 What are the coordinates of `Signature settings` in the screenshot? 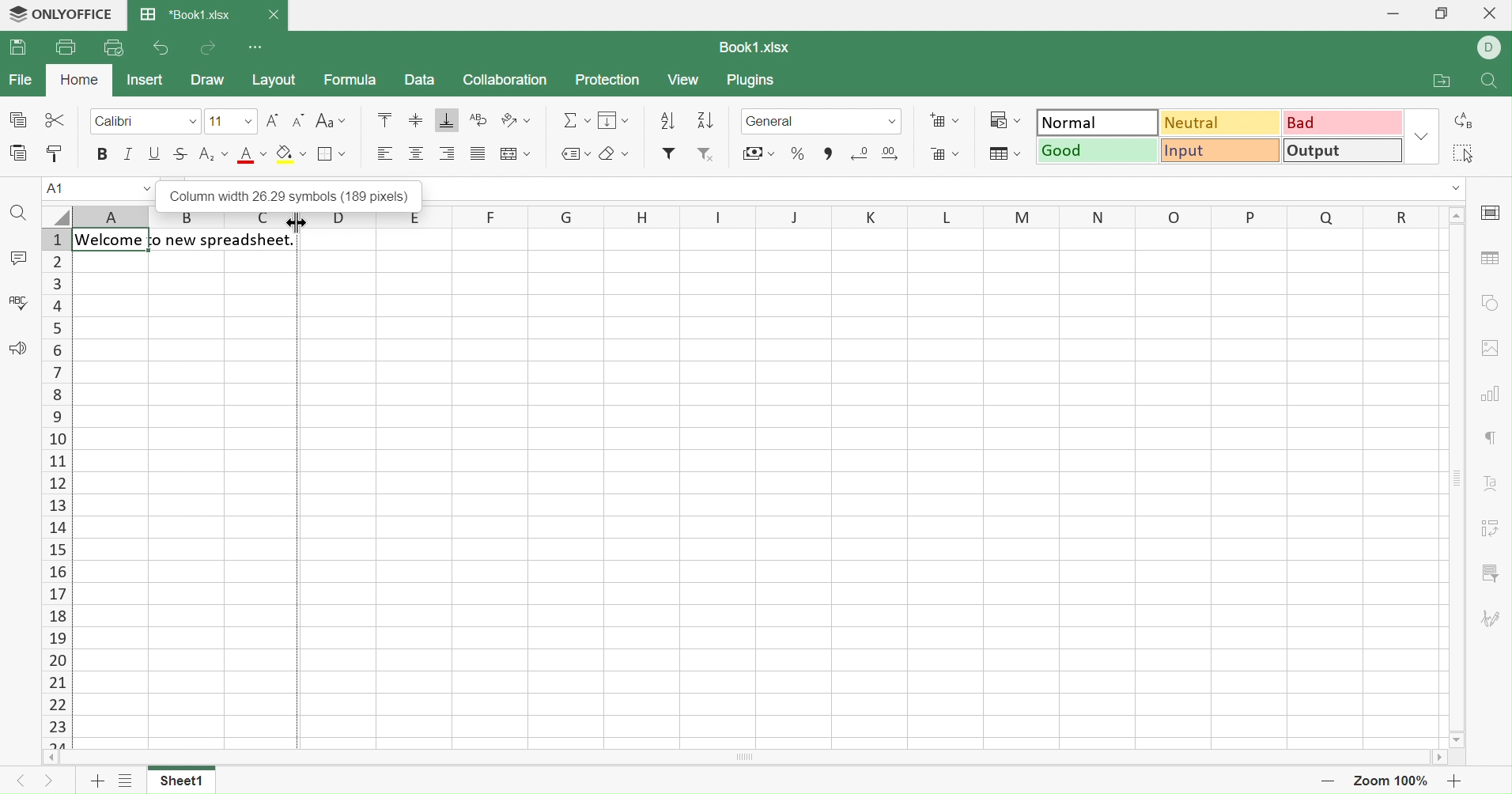 It's located at (1491, 621).